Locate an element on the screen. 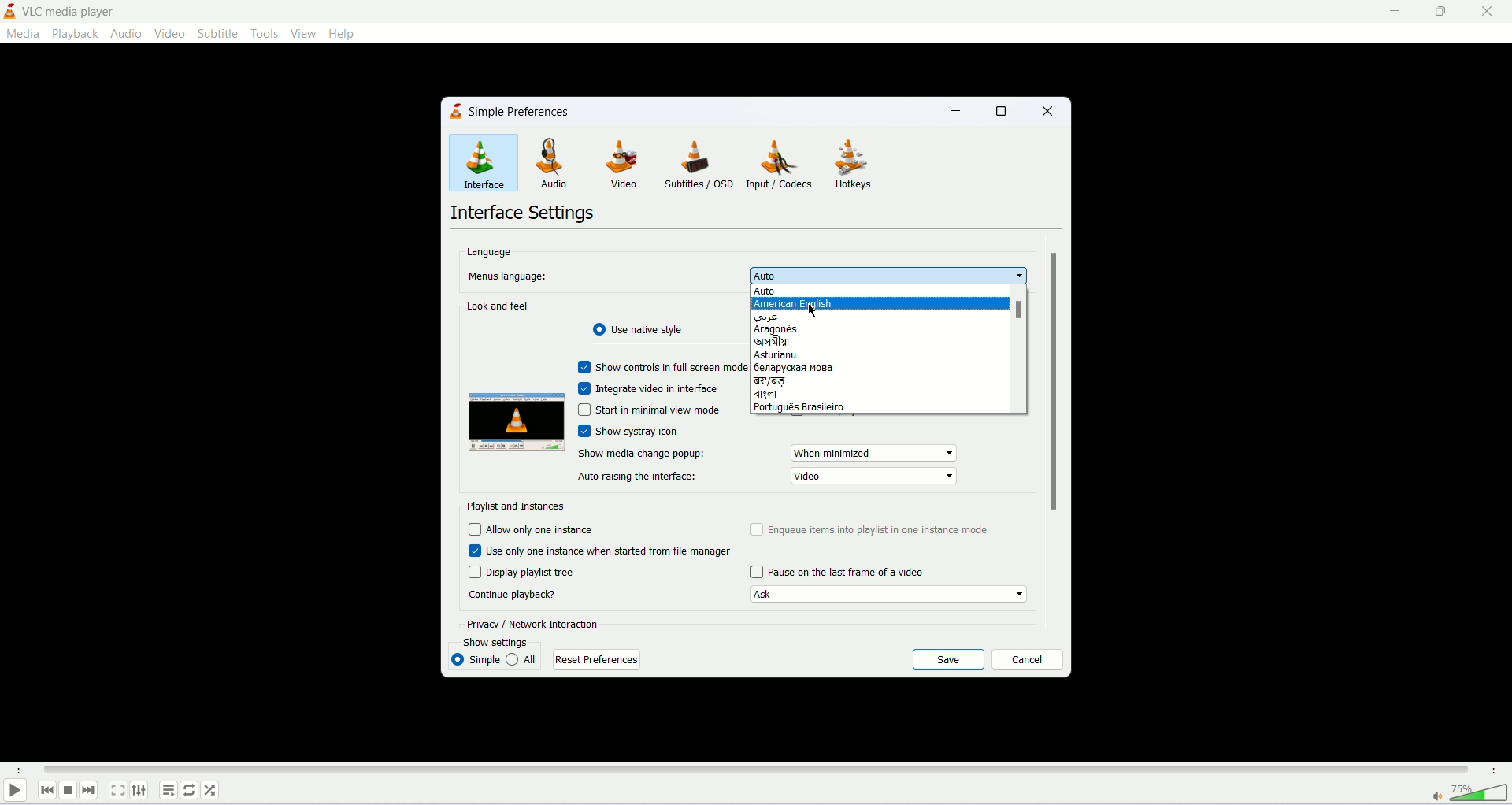 The height and width of the screenshot is (805, 1512). toggle loop is located at coordinates (189, 791).